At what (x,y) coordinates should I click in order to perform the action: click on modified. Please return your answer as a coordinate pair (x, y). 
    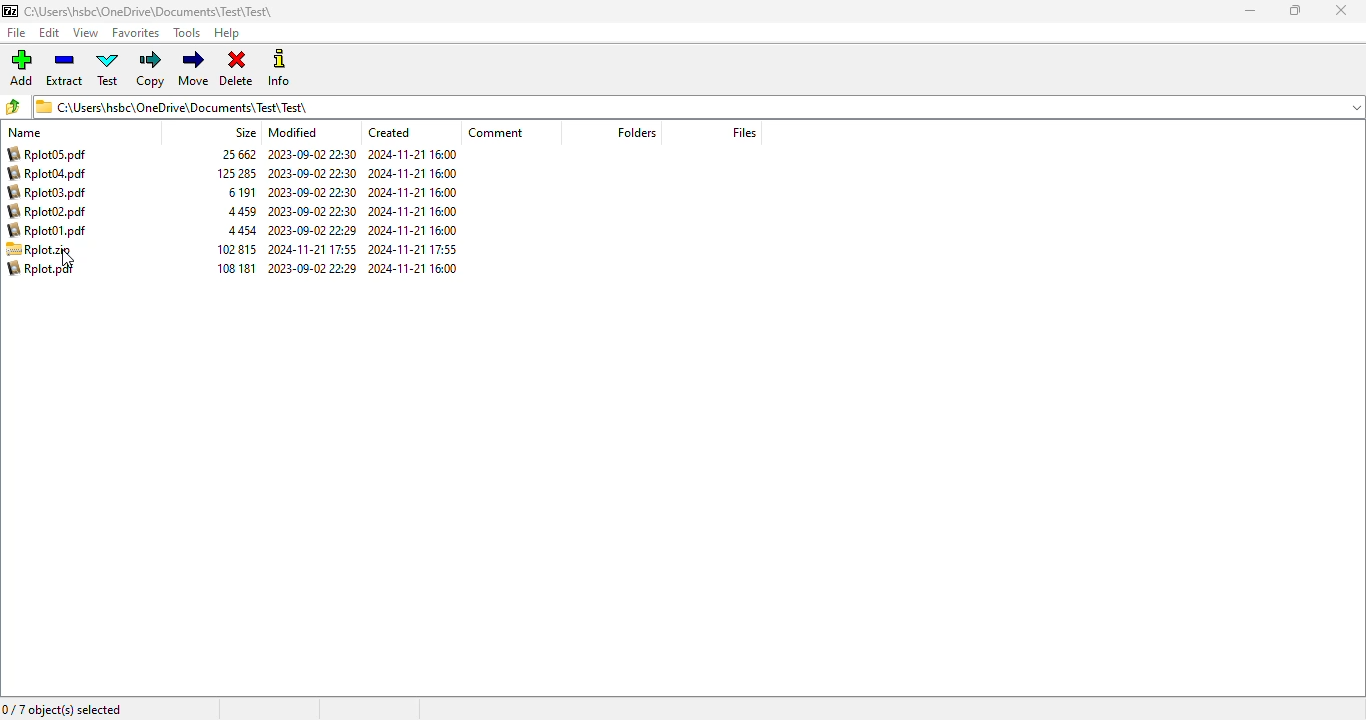
    Looking at the image, I should click on (294, 132).